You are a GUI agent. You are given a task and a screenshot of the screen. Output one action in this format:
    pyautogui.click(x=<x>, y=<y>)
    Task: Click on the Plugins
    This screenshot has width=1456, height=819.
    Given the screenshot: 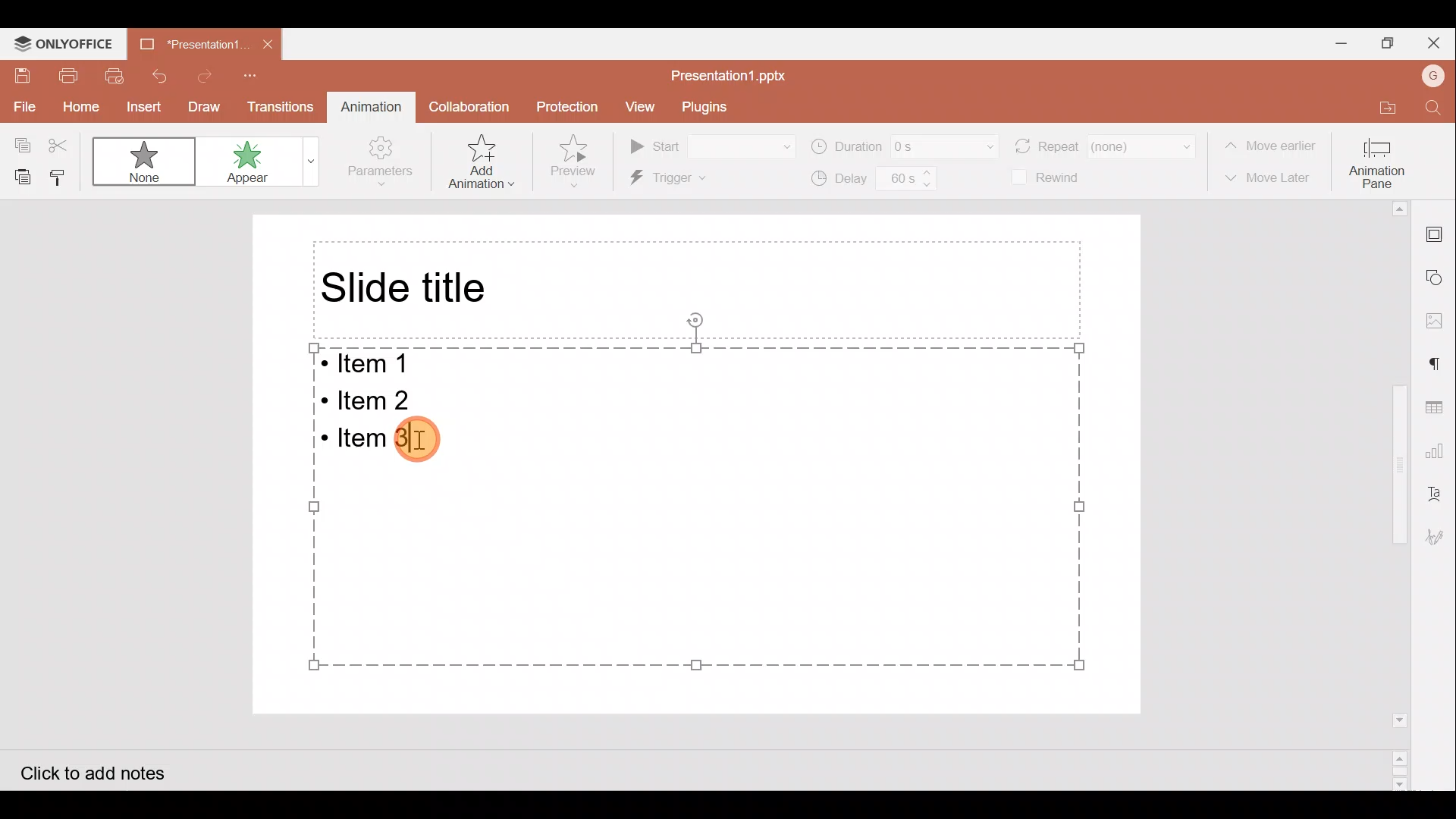 What is the action you would take?
    pyautogui.click(x=708, y=105)
    